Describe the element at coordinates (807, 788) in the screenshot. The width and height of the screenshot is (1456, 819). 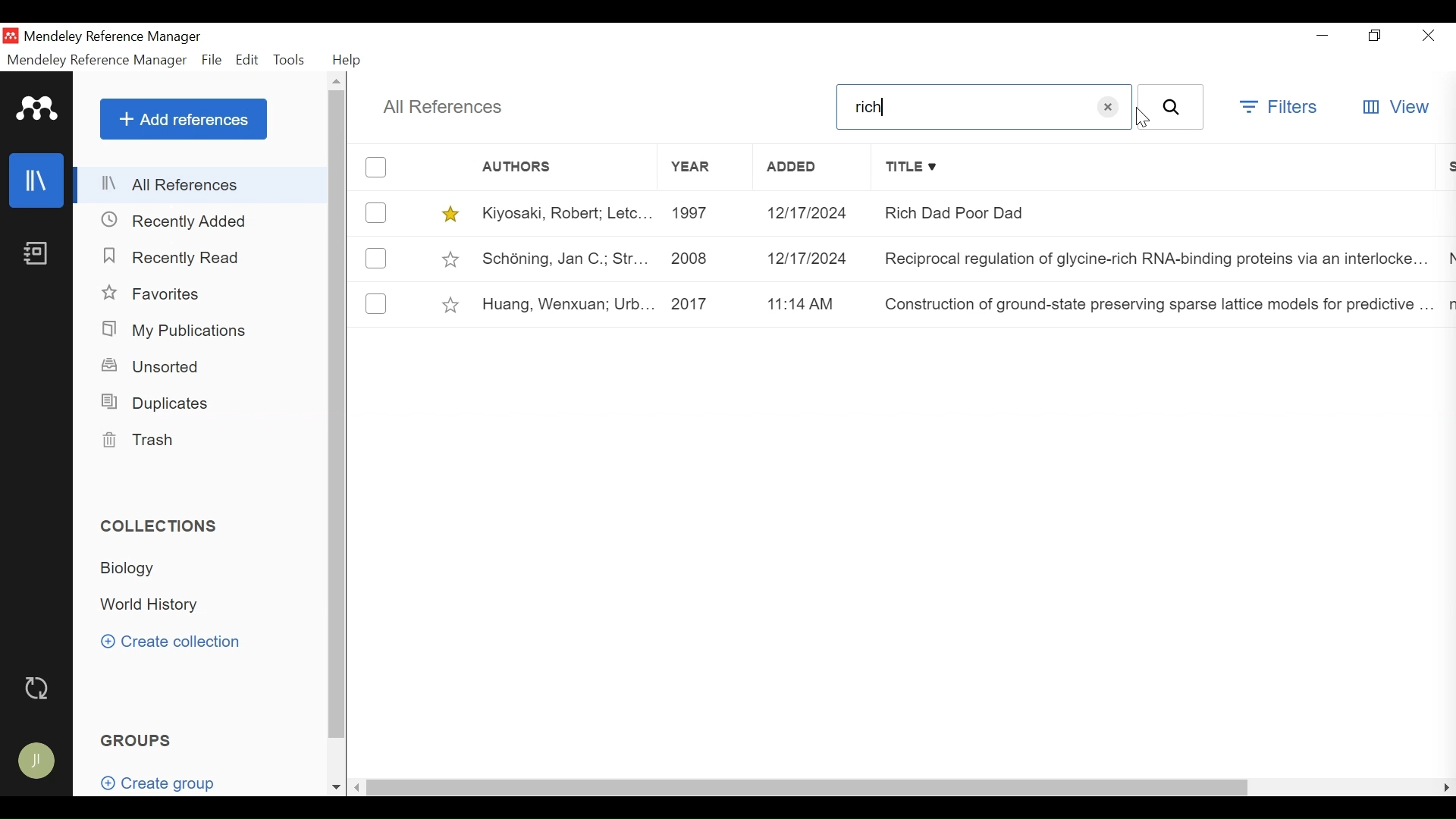
I see `Horizontal Scroll bar` at that location.